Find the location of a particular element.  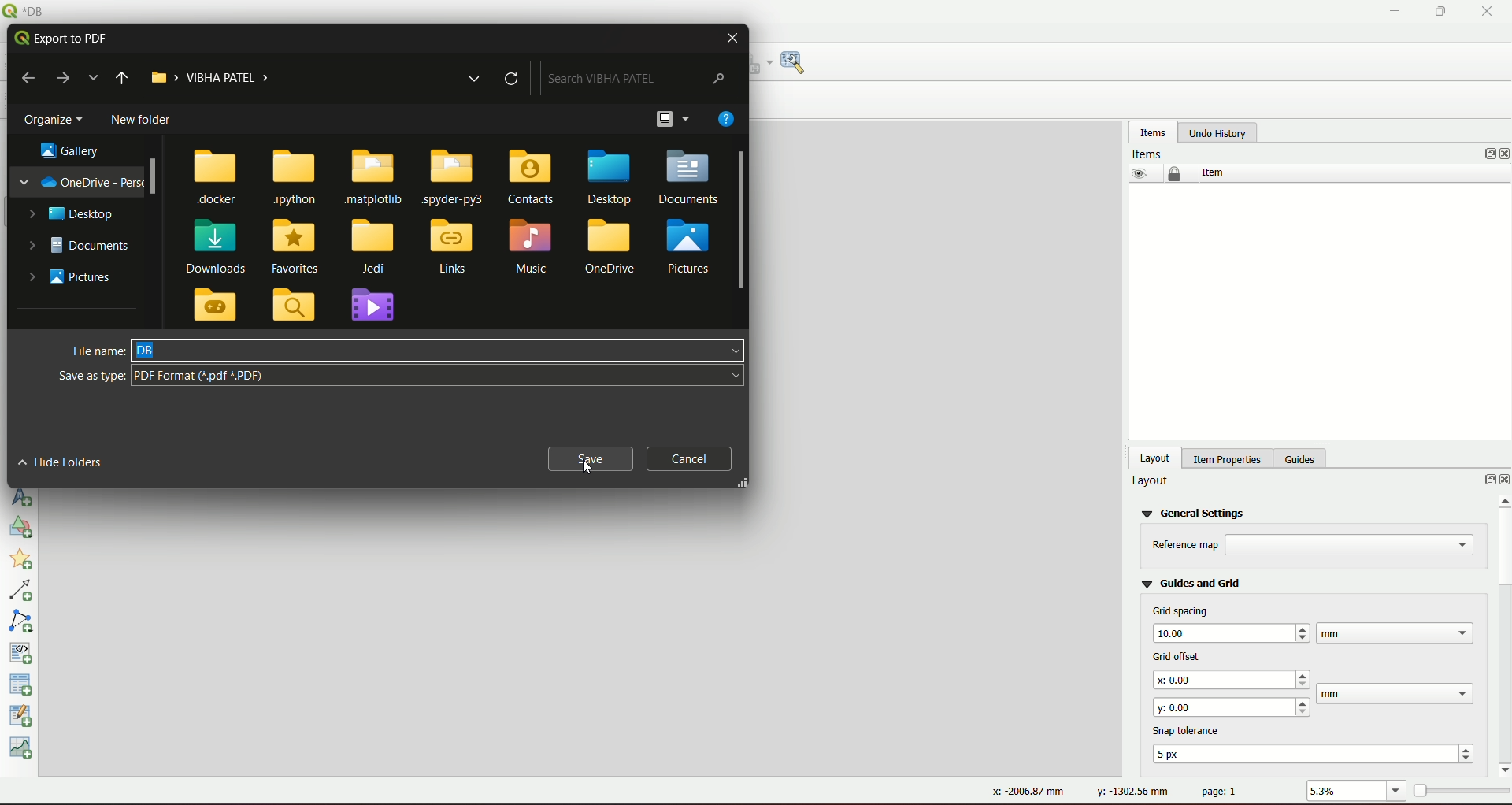

grid offset is located at coordinates (1173, 655).